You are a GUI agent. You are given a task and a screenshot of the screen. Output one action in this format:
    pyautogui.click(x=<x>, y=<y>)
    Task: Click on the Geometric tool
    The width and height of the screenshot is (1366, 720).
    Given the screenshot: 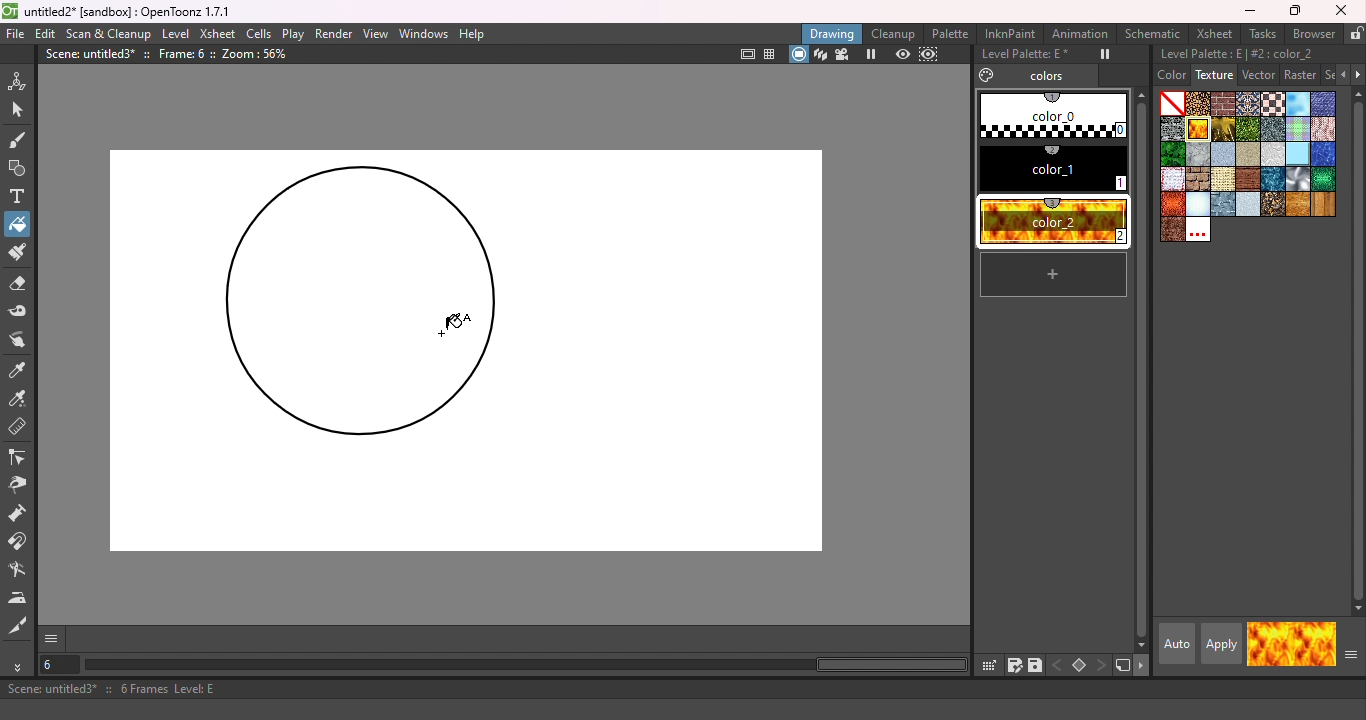 What is the action you would take?
    pyautogui.click(x=19, y=168)
    